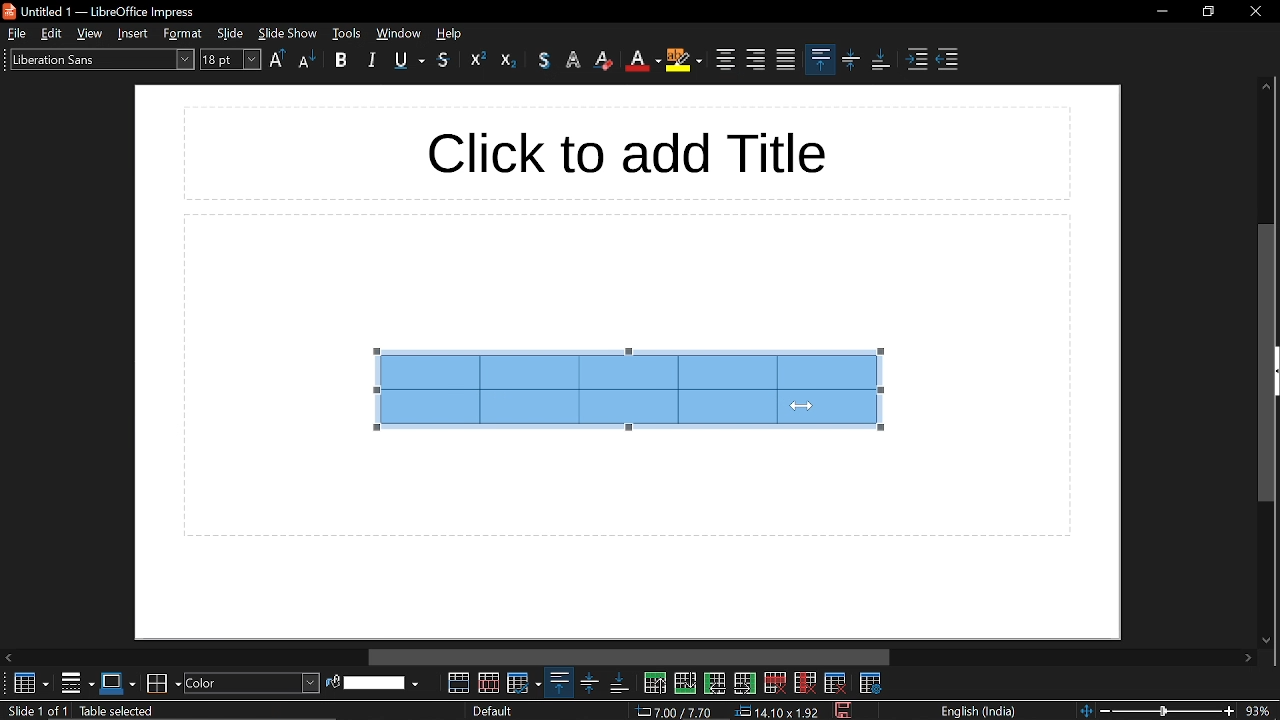 The image size is (1280, 720). Describe the element at coordinates (754, 59) in the screenshot. I see `align right` at that location.